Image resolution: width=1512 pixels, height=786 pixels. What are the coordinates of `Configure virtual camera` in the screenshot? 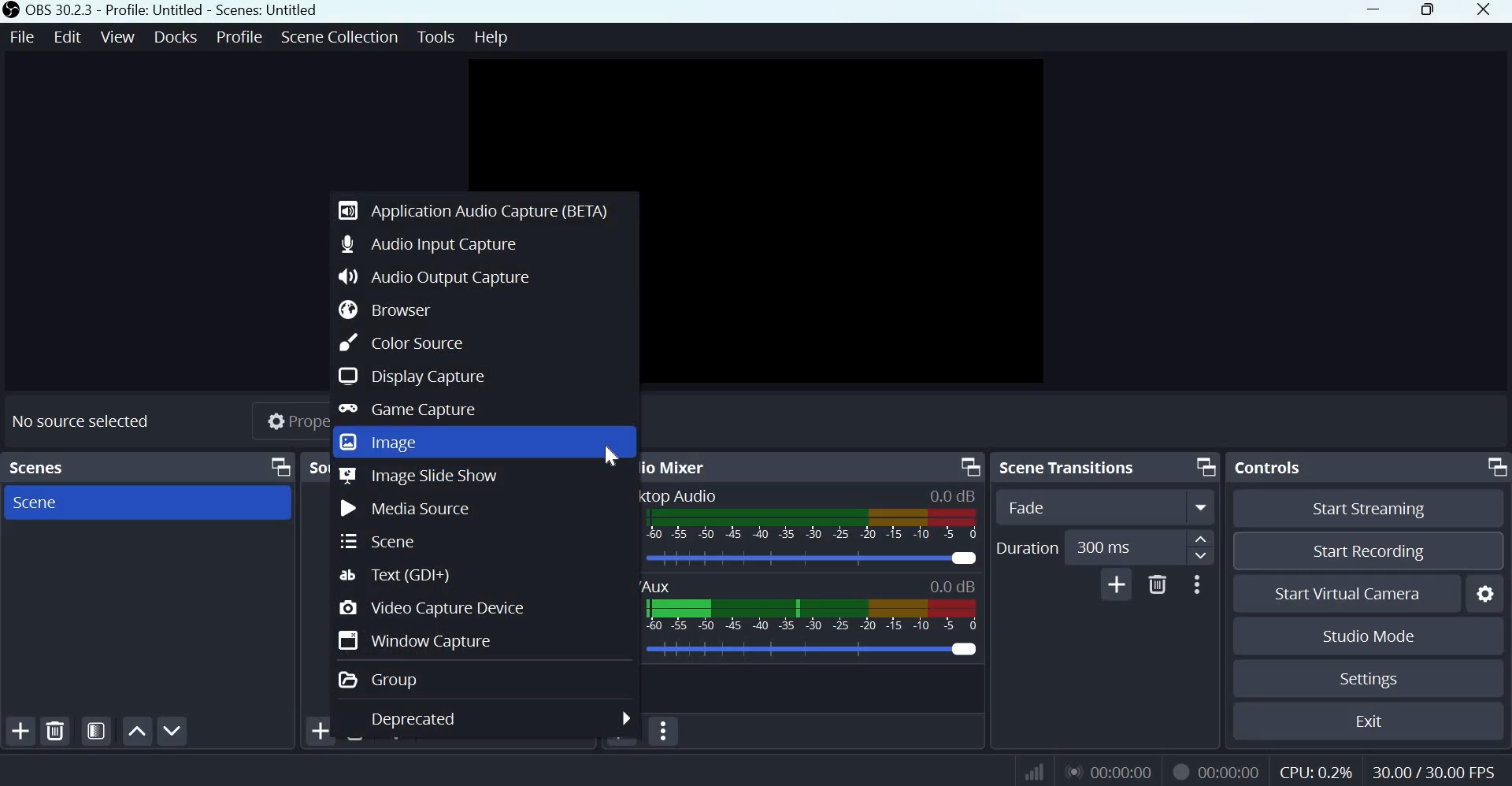 It's located at (1486, 591).